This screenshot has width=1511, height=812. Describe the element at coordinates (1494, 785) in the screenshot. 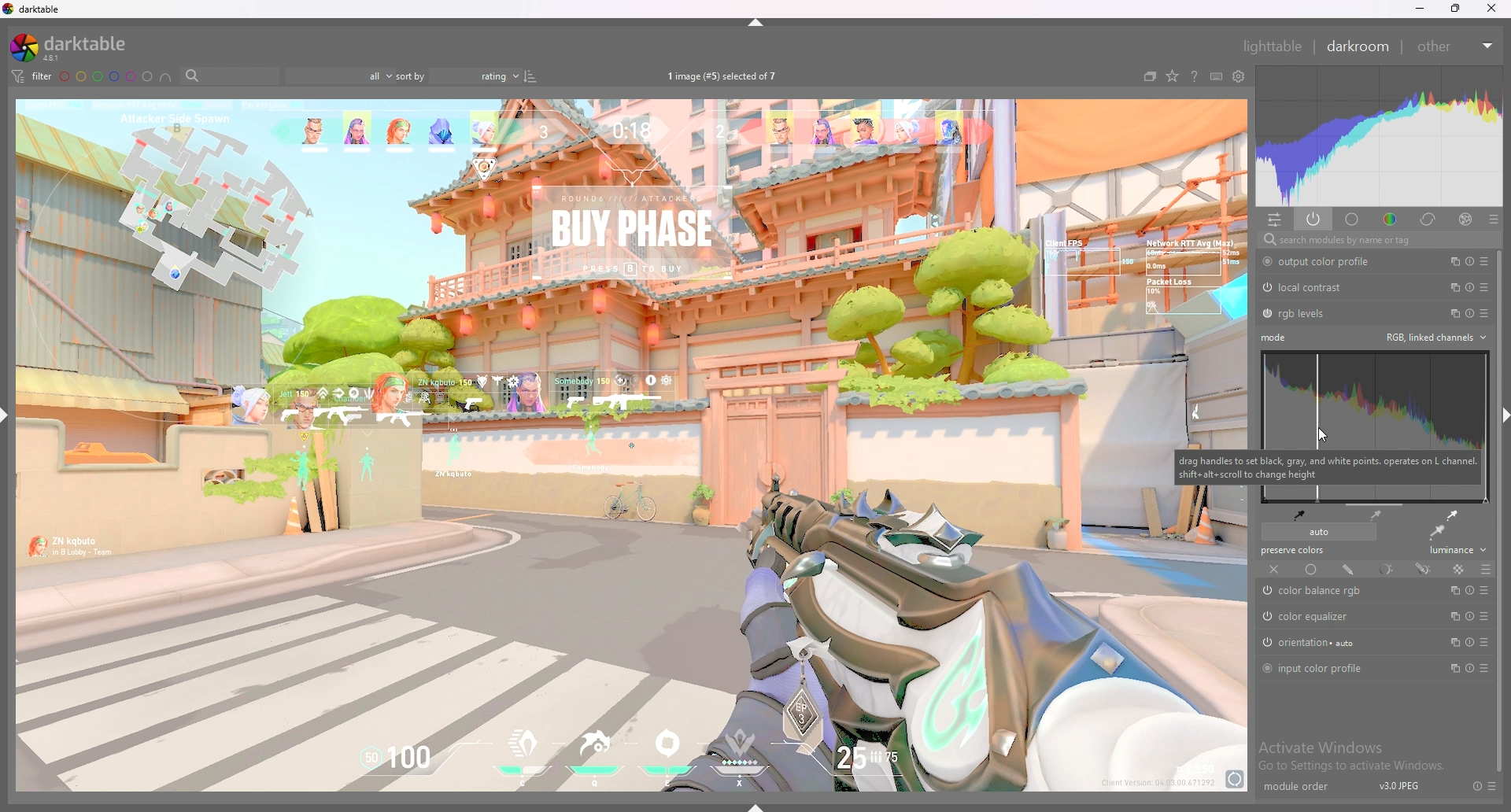

I see `presets` at that location.